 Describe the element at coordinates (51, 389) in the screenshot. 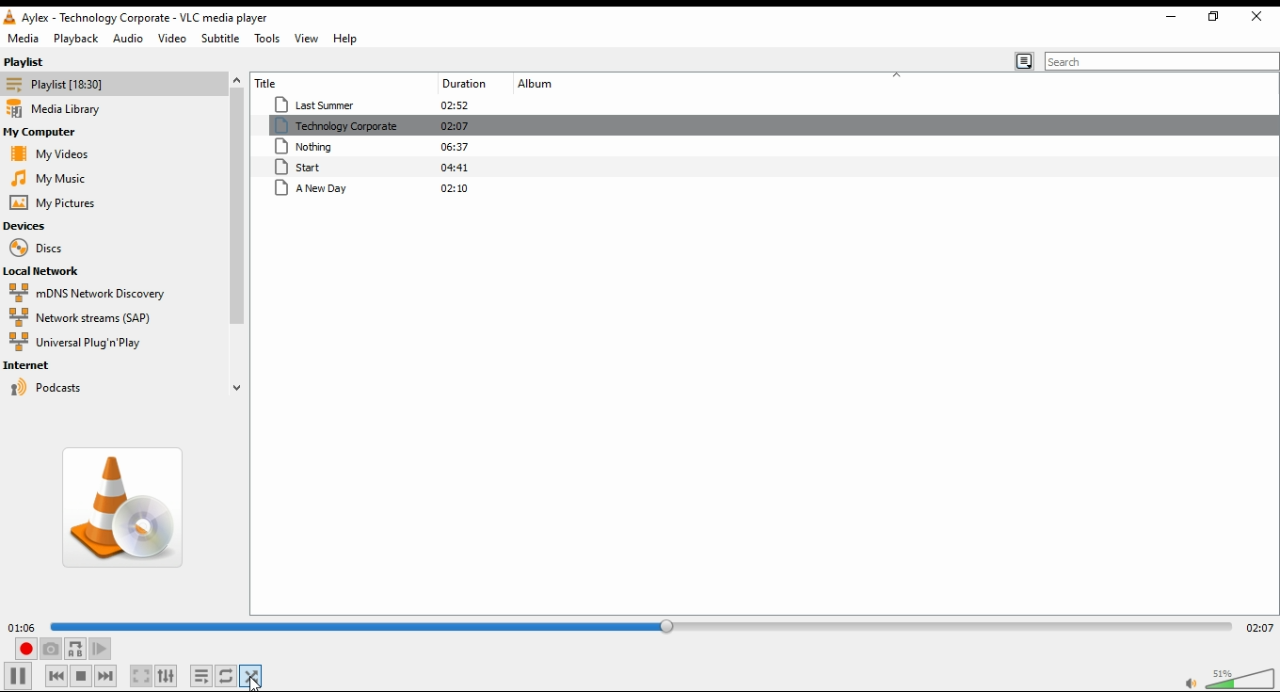

I see `podcasts` at that location.